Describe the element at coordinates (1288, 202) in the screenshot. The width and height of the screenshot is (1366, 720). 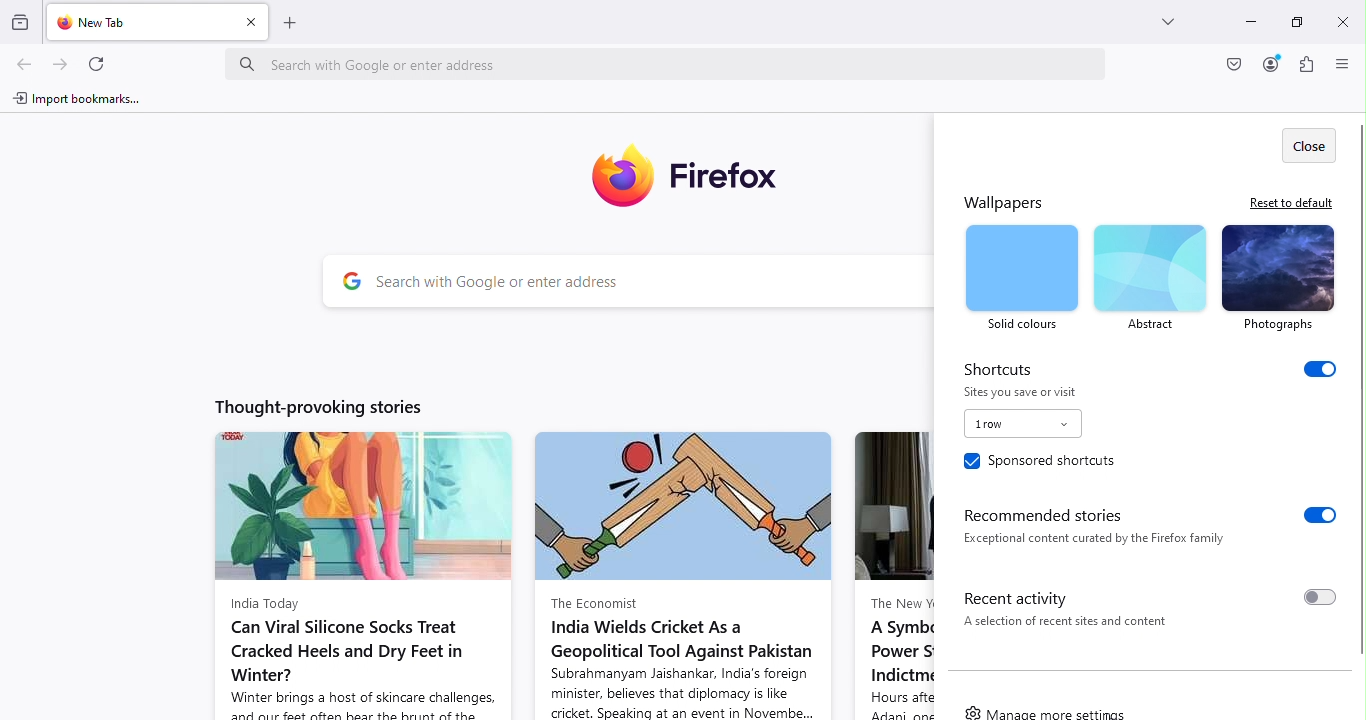
I see `Reset to default` at that location.